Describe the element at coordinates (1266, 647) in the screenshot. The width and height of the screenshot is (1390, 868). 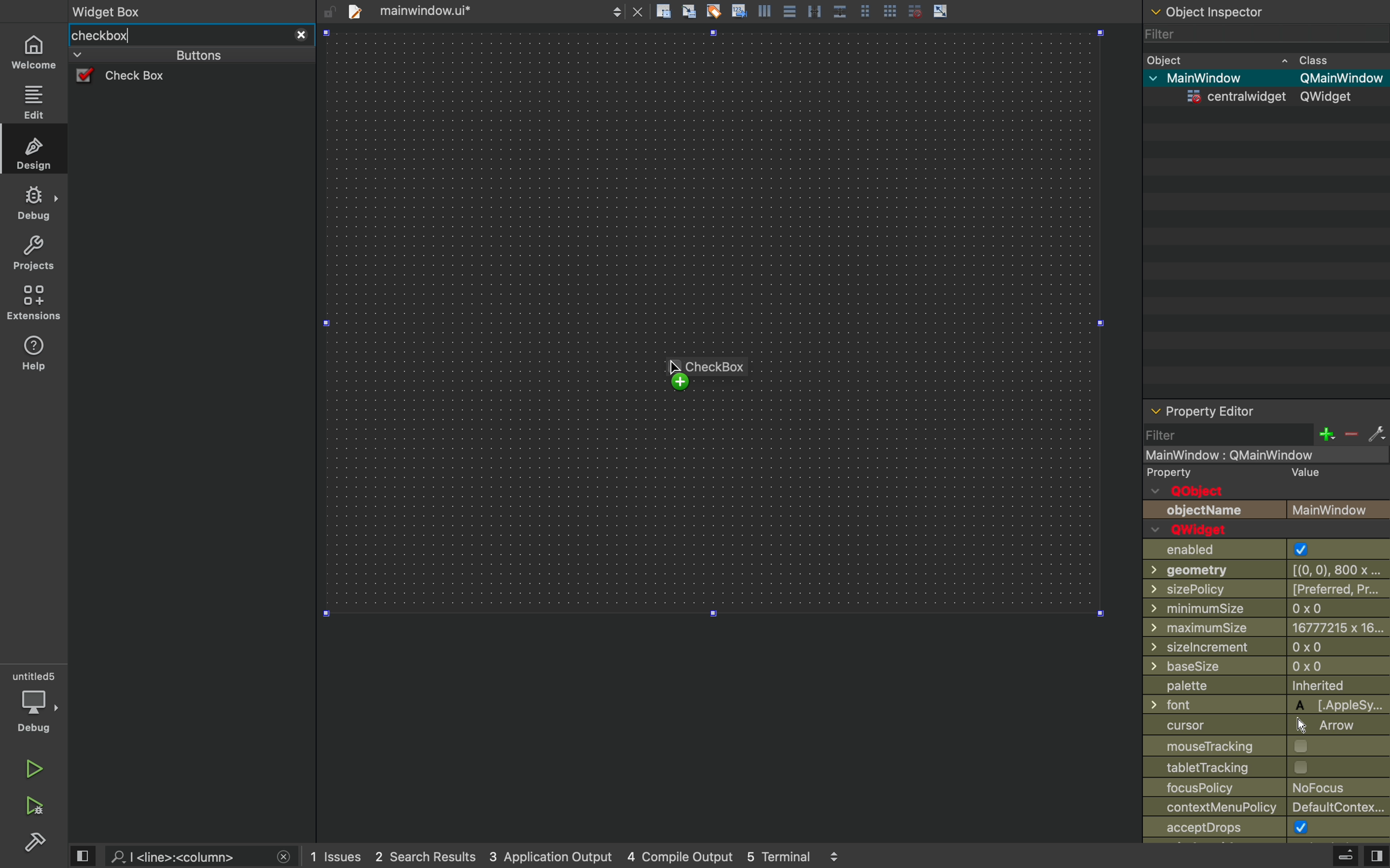
I see `size increment` at that location.